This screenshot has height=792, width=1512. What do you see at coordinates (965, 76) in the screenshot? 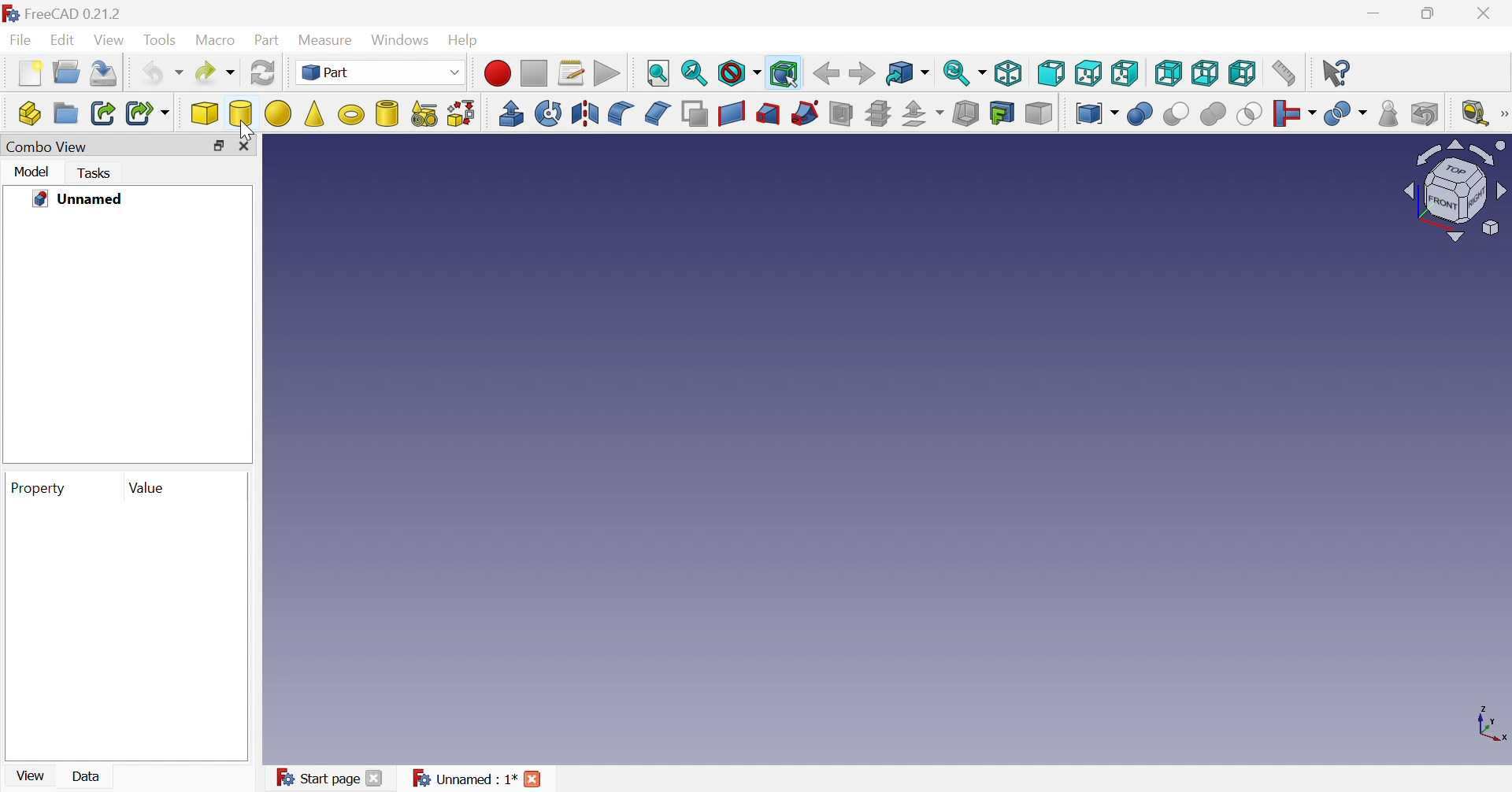
I see `Sync view` at bounding box center [965, 76].